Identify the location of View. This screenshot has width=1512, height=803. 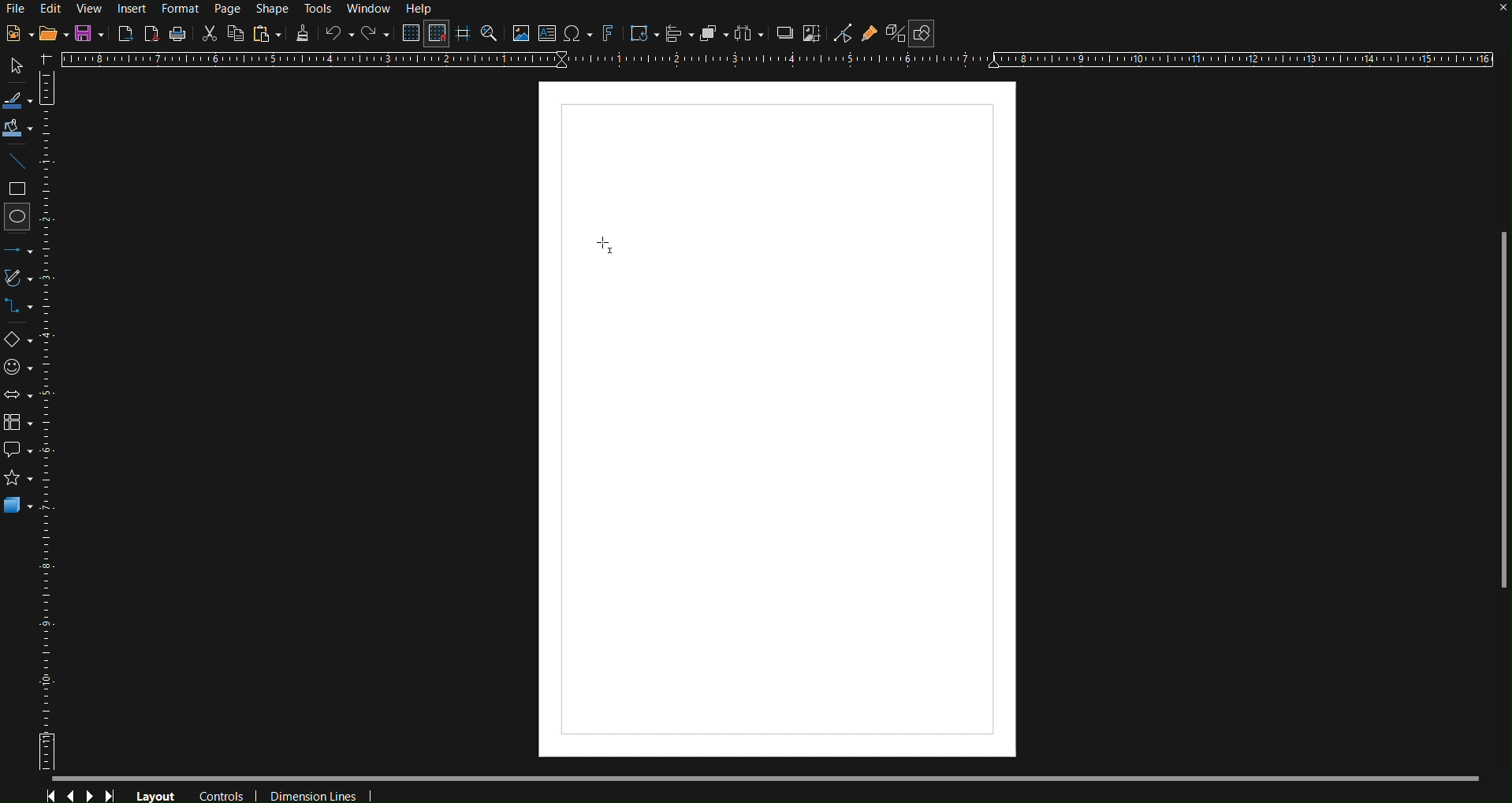
(91, 9).